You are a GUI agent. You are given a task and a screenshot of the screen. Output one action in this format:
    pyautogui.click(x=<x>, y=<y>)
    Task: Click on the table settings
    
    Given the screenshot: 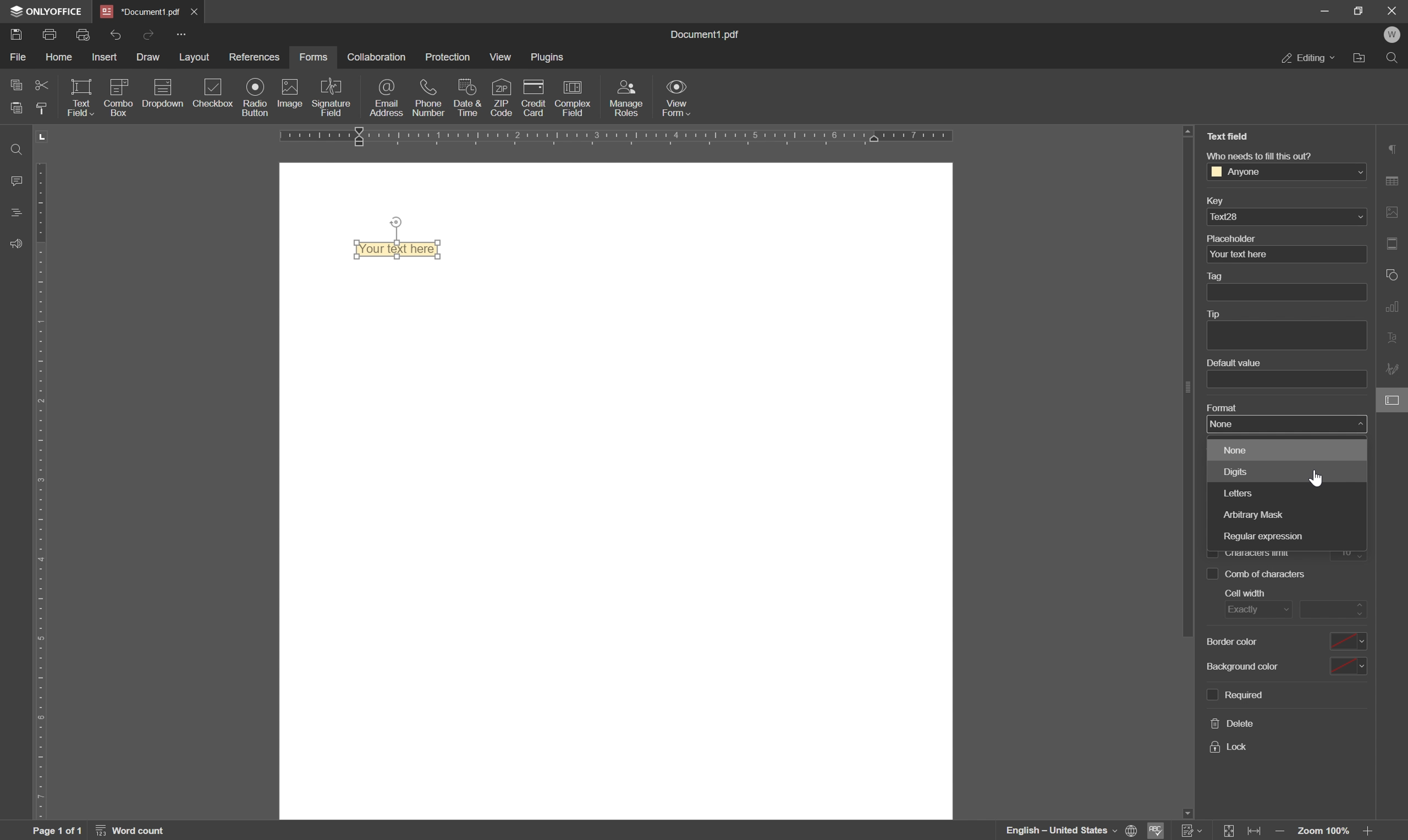 What is the action you would take?
    pyautogui.click(x=1394, y=181)
    